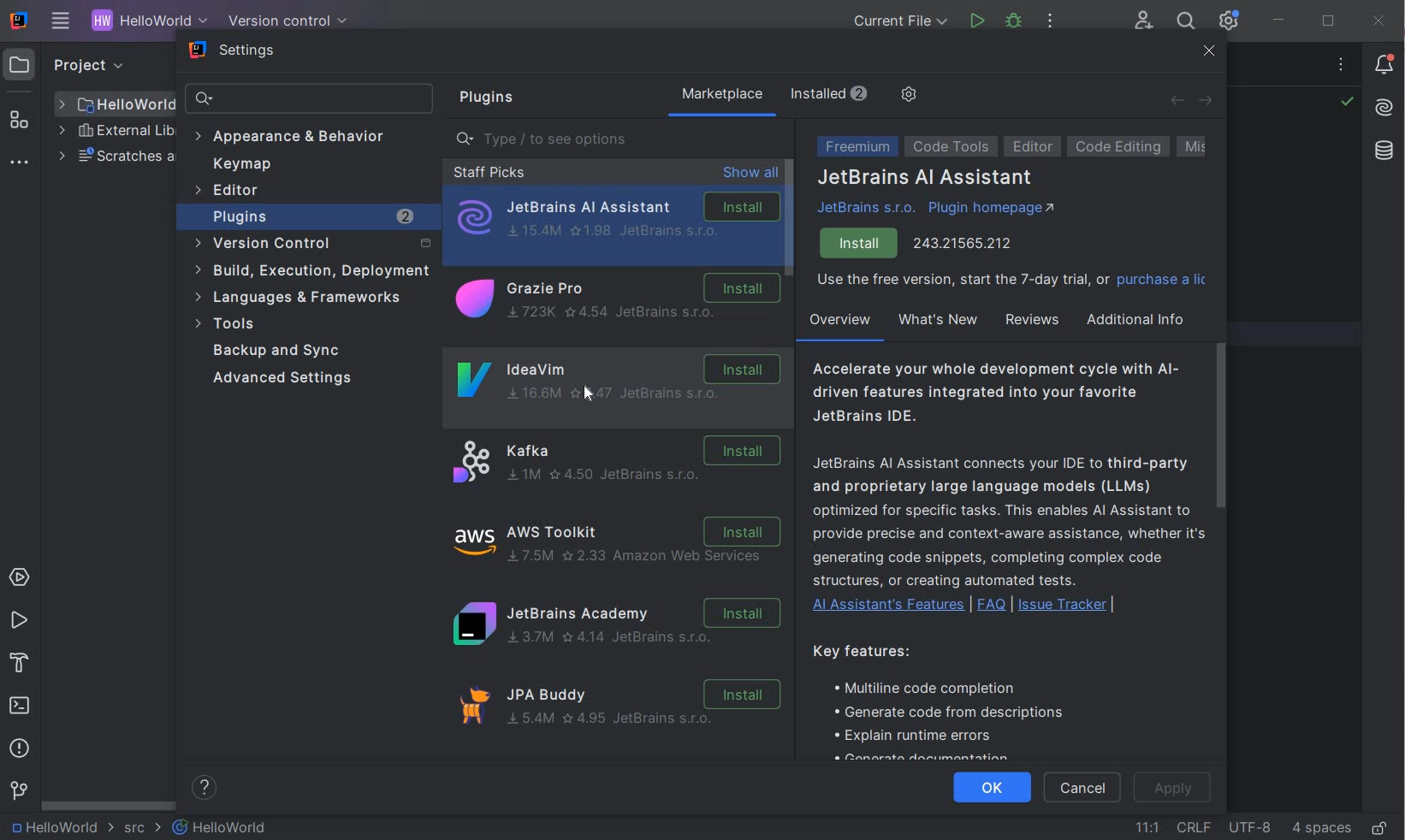  Describe the element at coordinates (991, 789) in the screenshot. I see `OK` at that location.